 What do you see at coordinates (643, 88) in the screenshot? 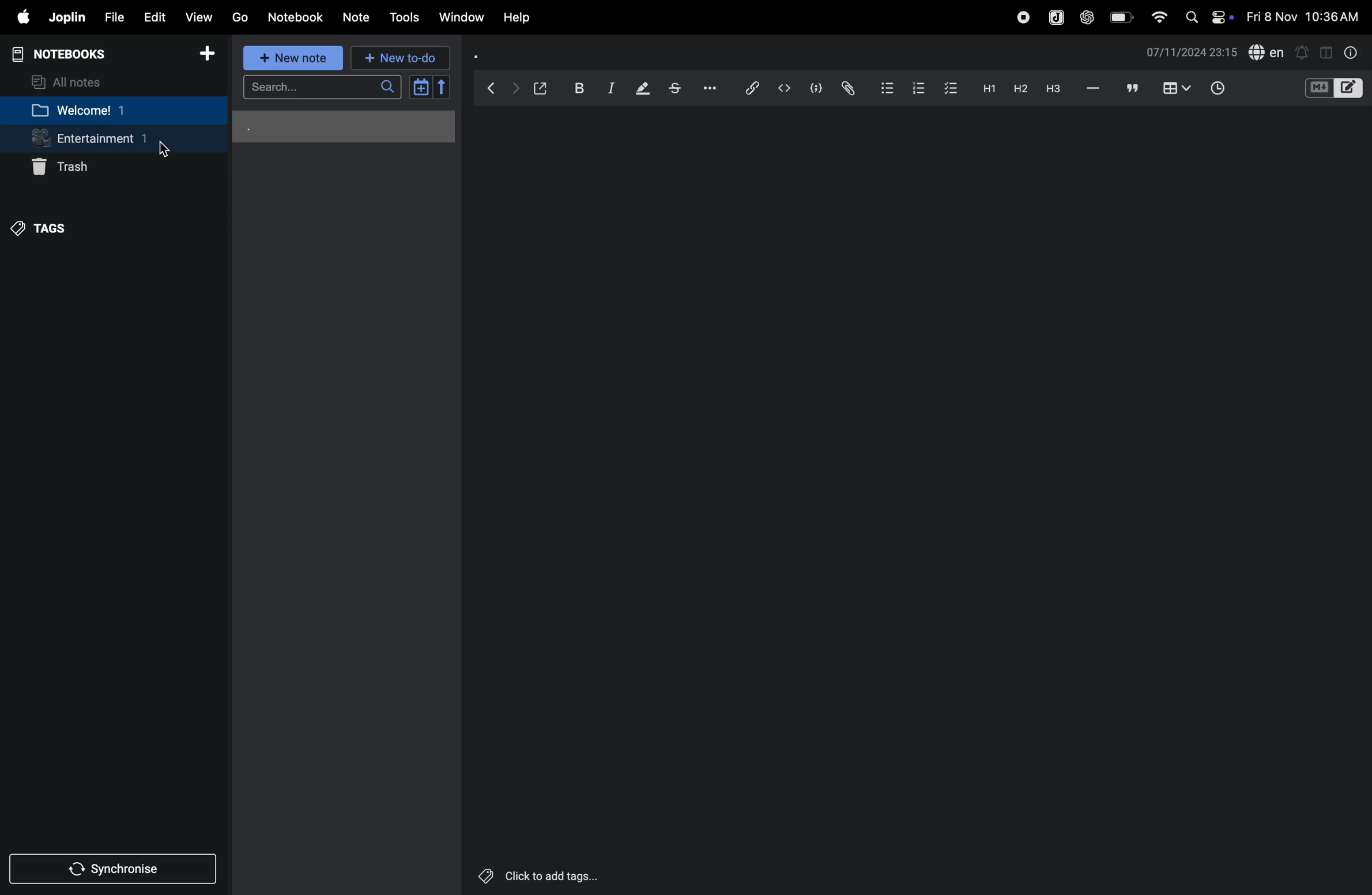
I see `highlight` at bounding box center [643, 88].